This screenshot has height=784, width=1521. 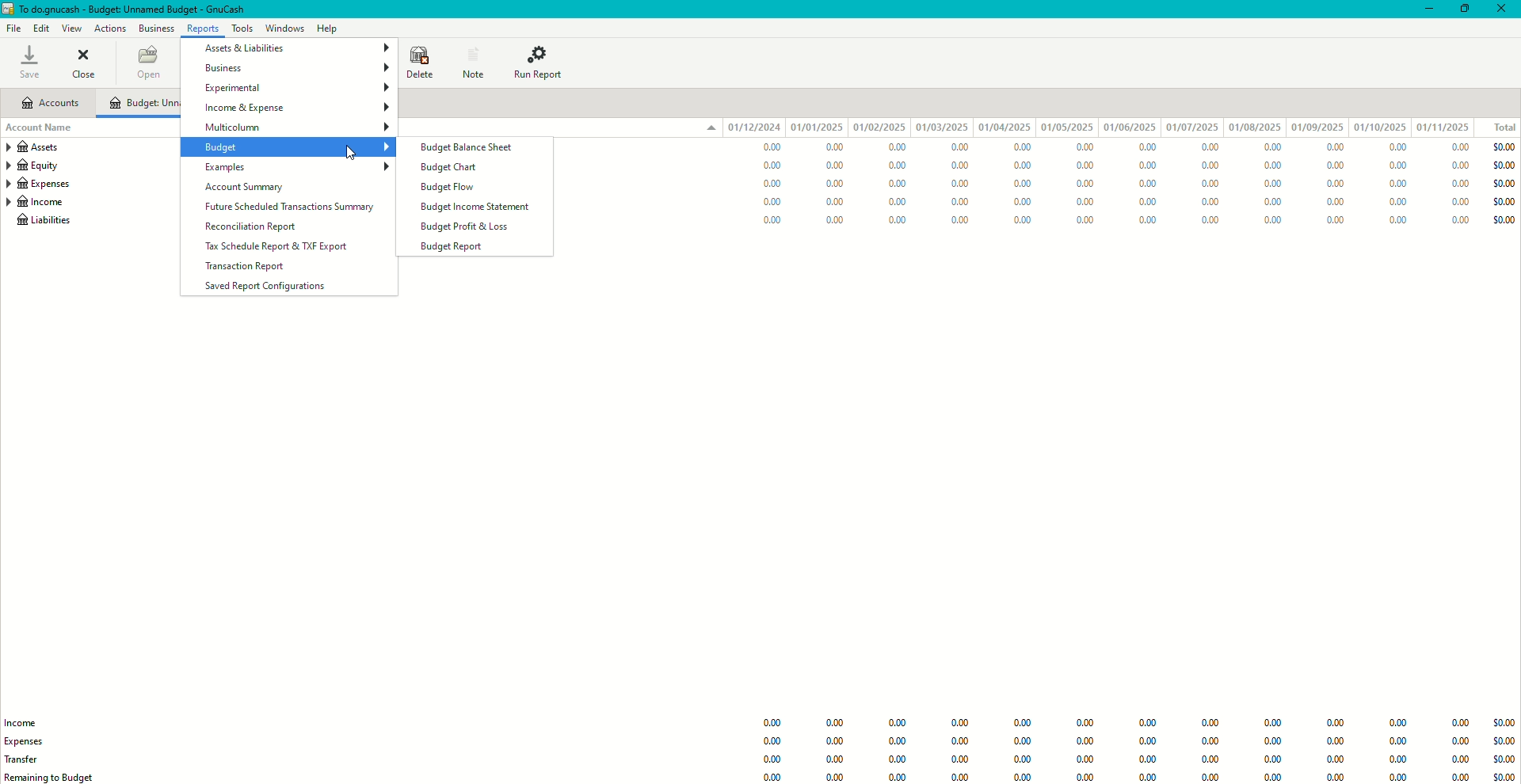 What do you see at coordinates (1149, 182) in the screenshot?
I see `0.00` at bounding box center [1149, 182].